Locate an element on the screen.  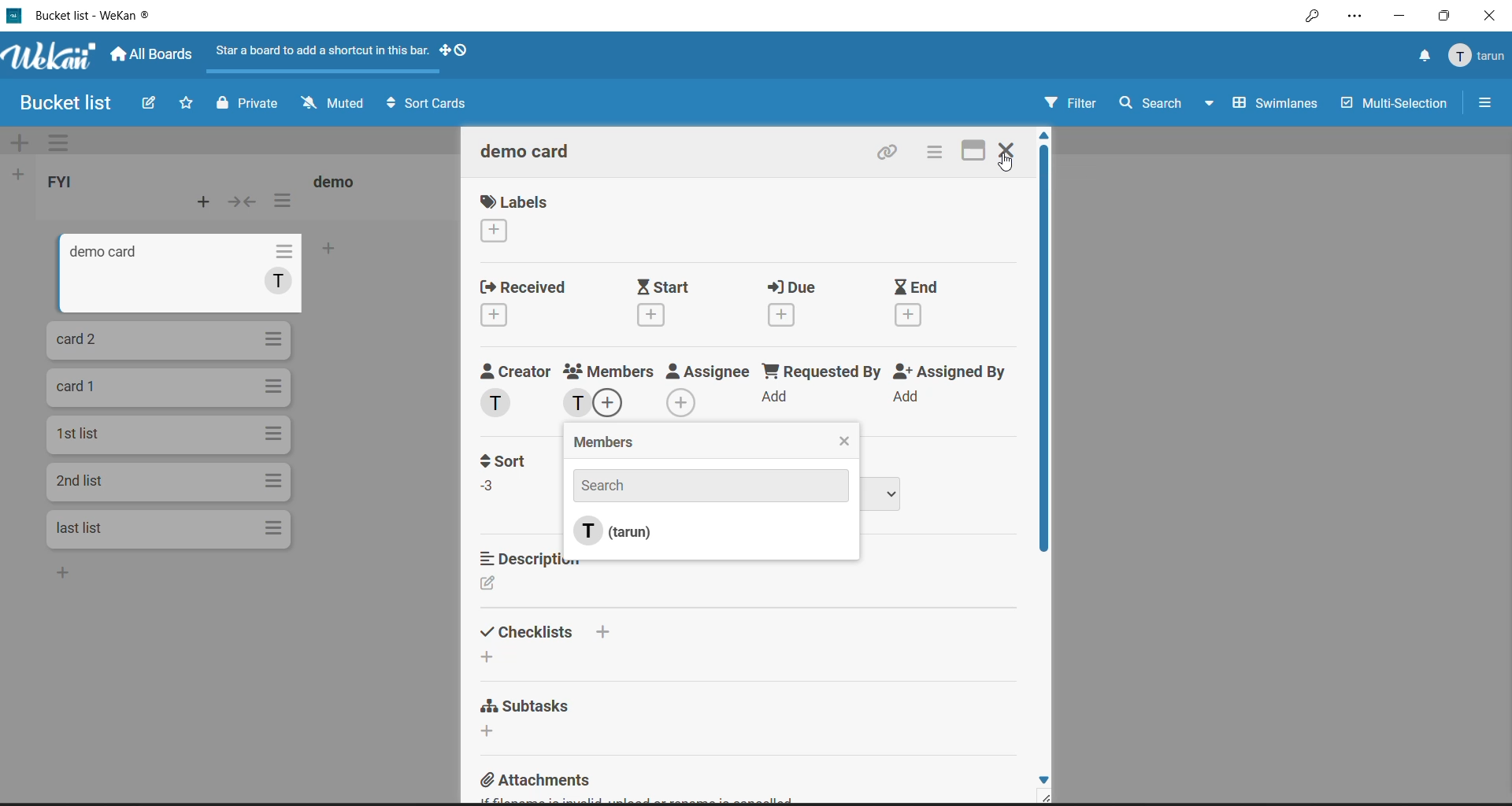
board view is located at coordinates (1262, 105).